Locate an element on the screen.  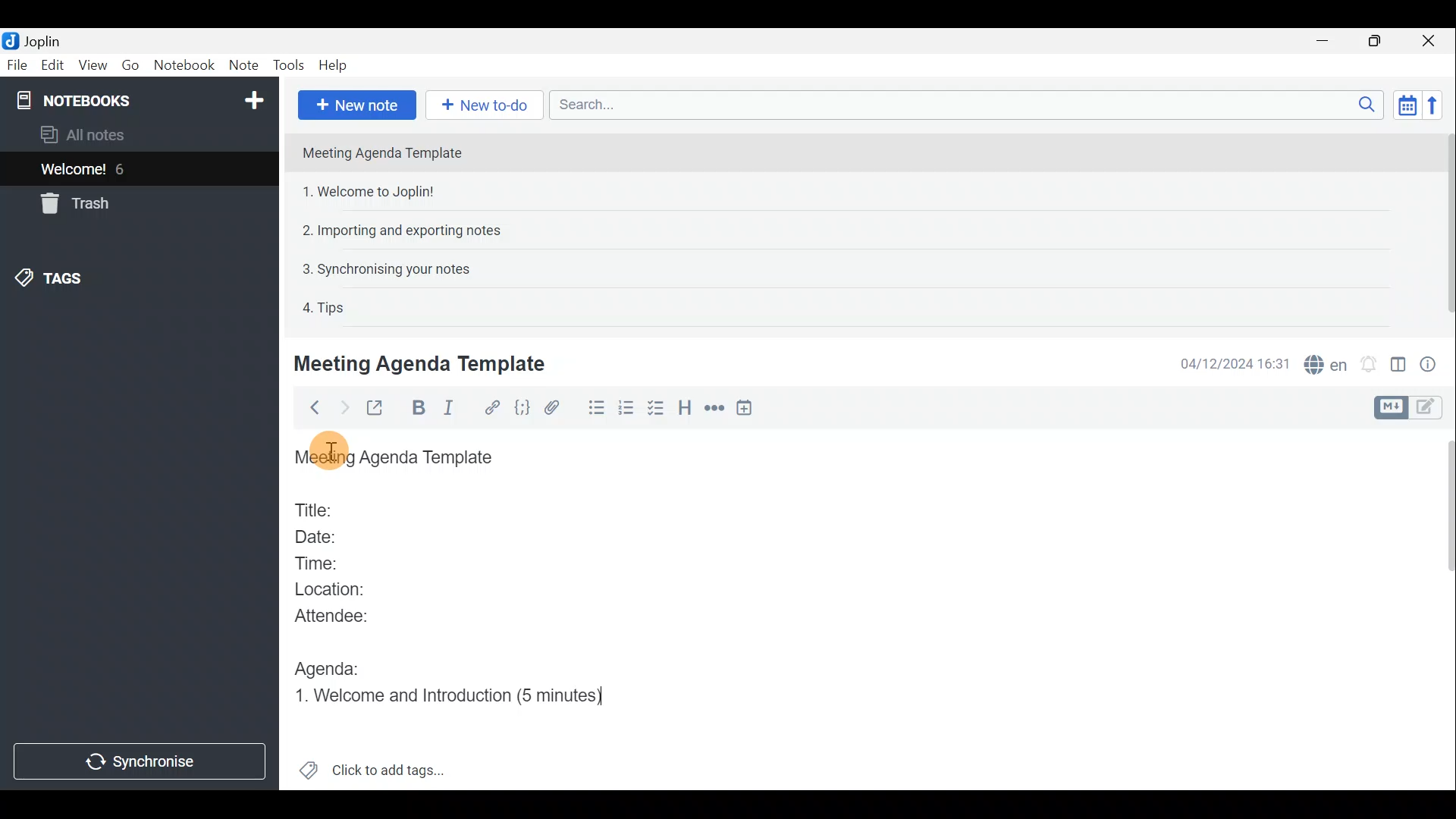
Help is located at coordinates (336, 65).